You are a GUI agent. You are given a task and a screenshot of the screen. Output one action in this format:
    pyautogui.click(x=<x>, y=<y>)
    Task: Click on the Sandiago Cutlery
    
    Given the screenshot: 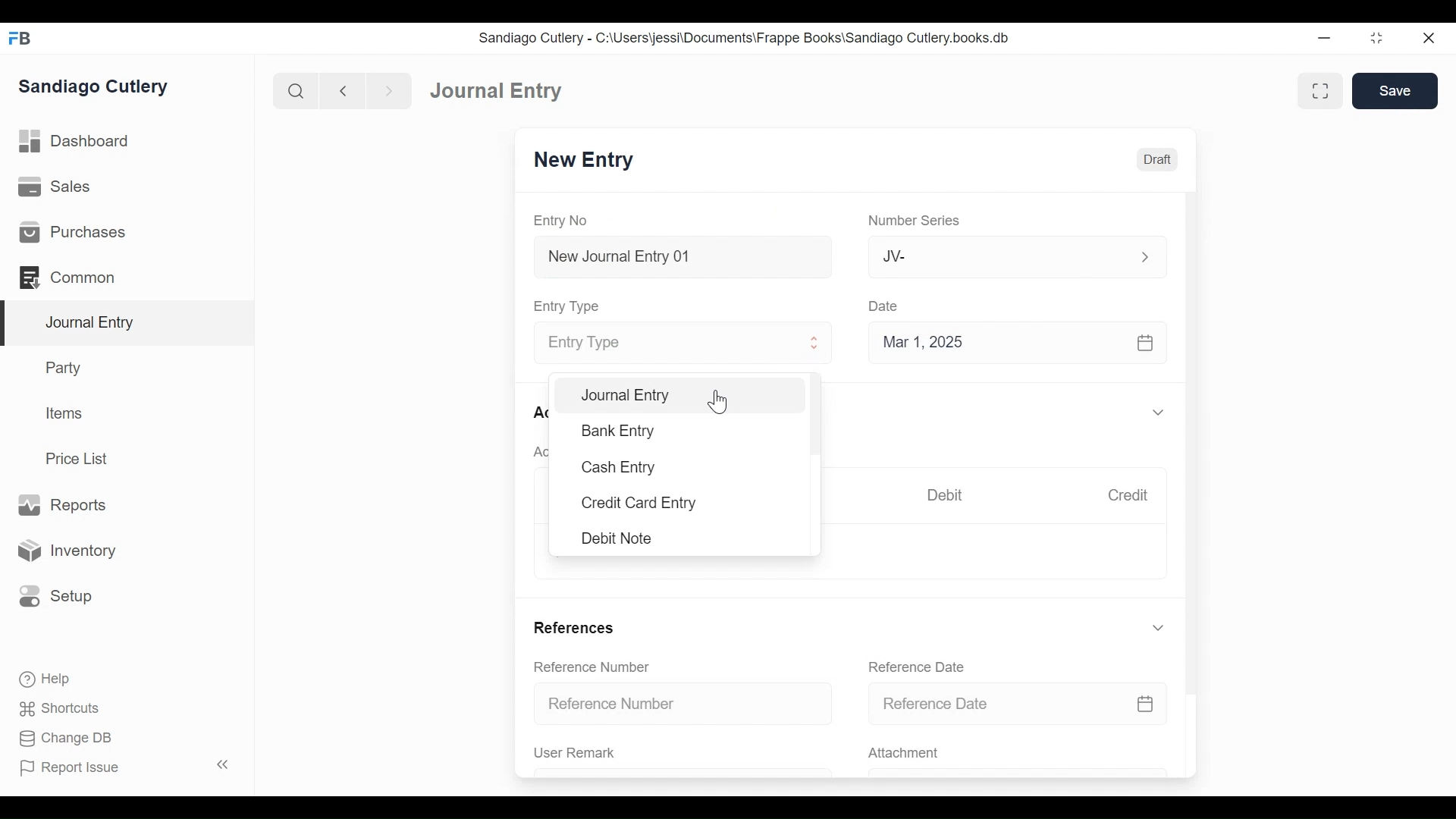 What is the action you would take?
    pyautogui.click(x=102, y=88)
    